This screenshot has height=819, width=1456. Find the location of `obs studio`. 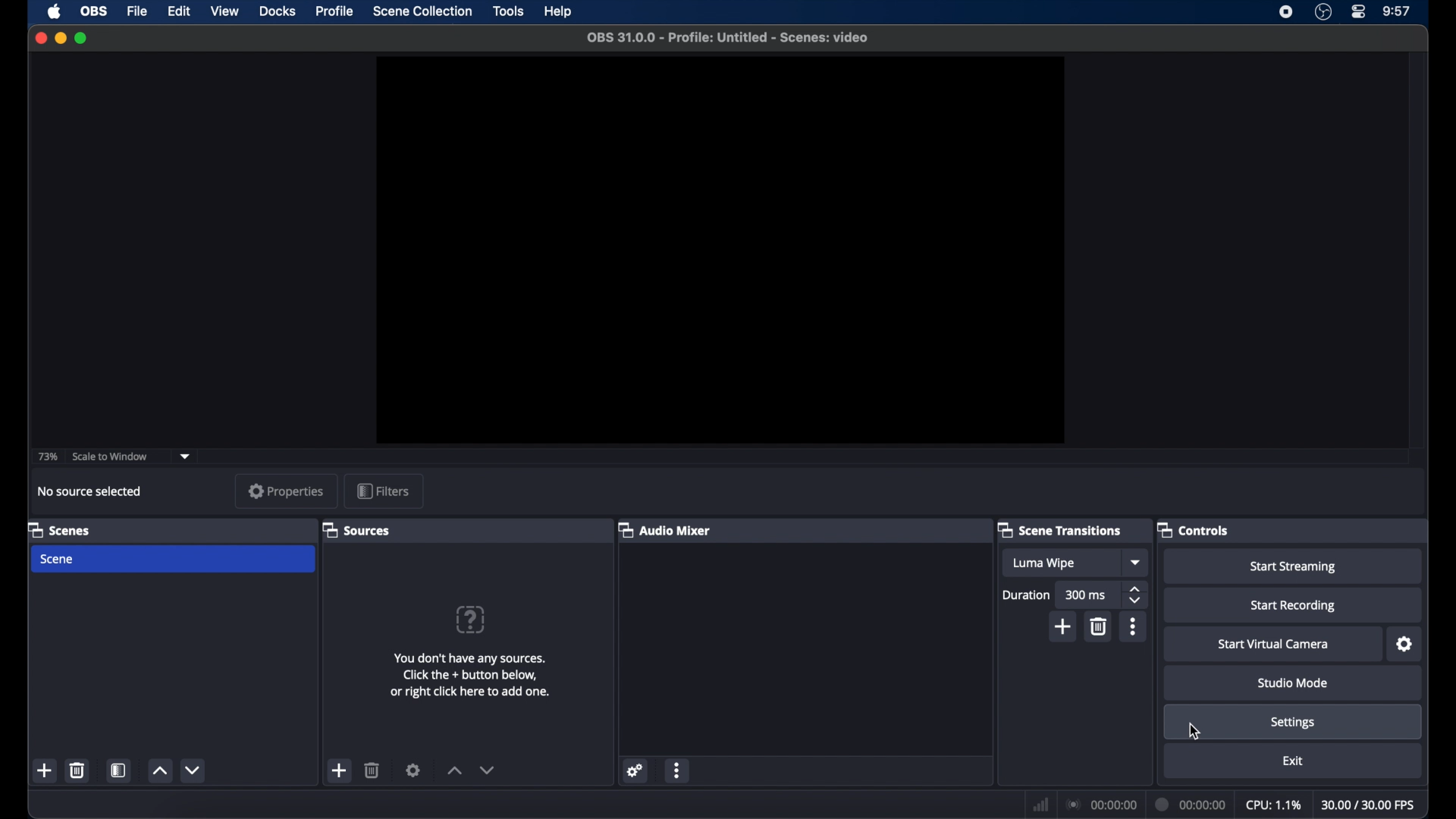

obs studio is located at coordinates (1323, 12).